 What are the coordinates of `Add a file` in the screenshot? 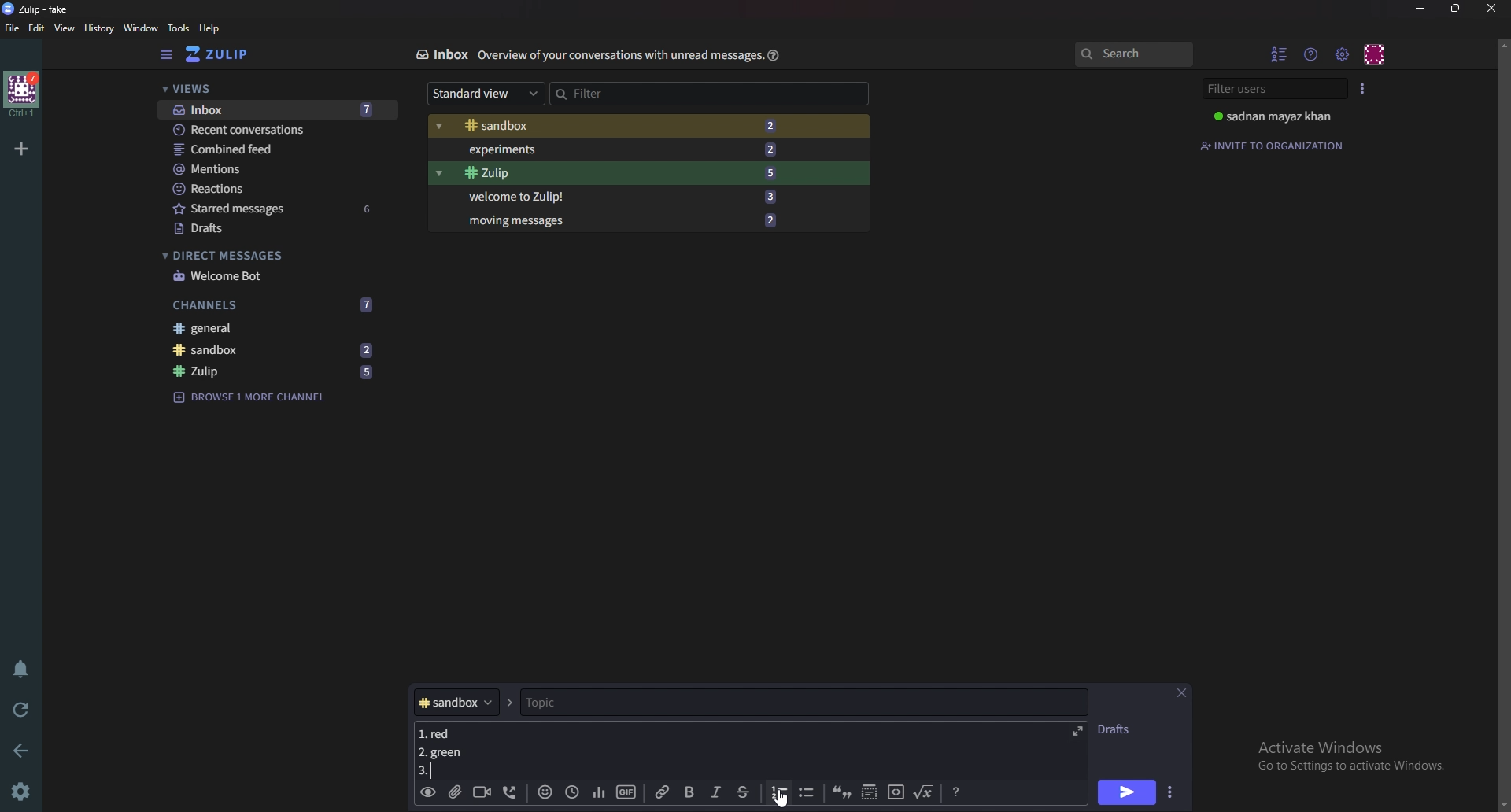 It's located at (453, 794).